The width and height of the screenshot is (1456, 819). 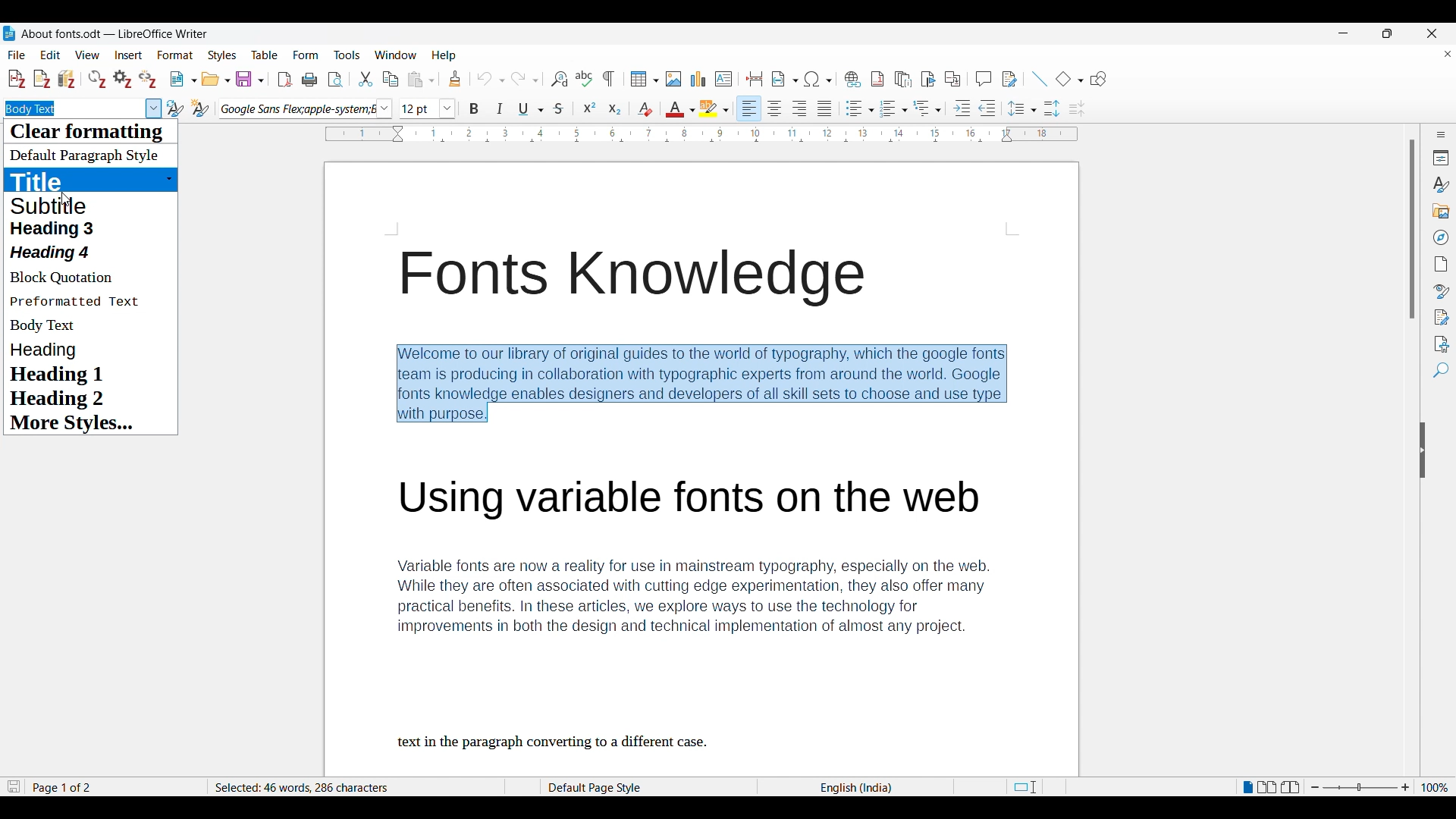 What do you see at coordinates (176, 55) in the screenshot?
I see `Format menu` at bounding box center [176, 55].